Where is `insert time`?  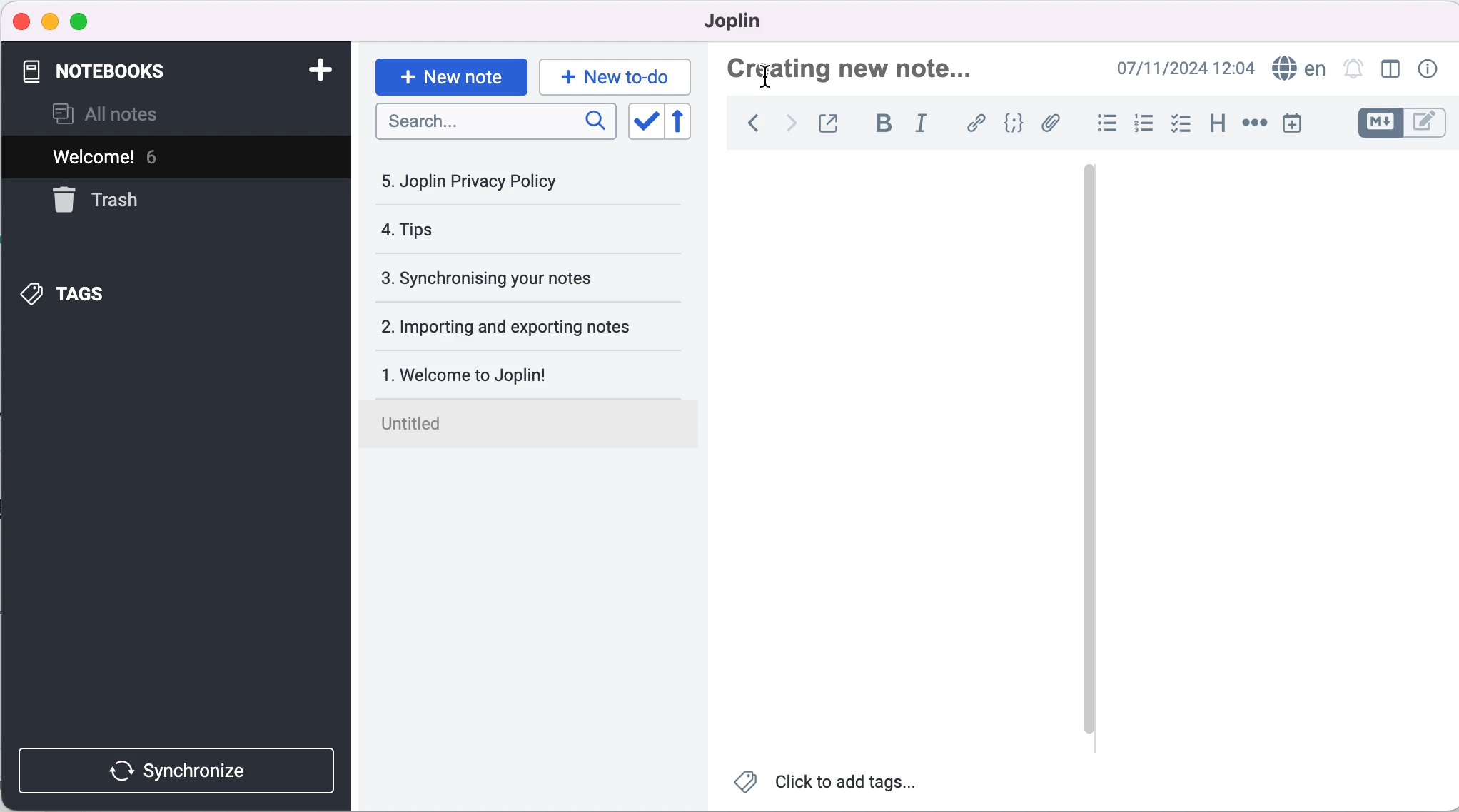
insert time is located at coordinates (1291, 126).